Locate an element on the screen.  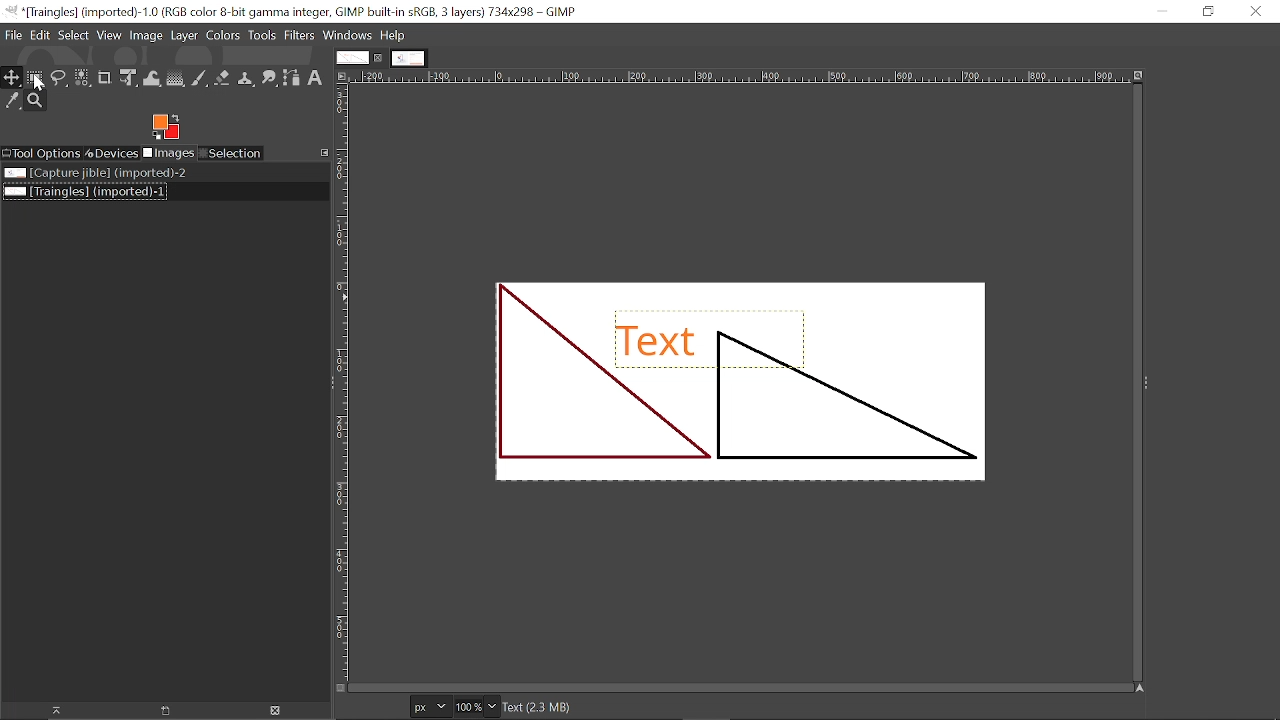
View is located at coordinates (110, 37).